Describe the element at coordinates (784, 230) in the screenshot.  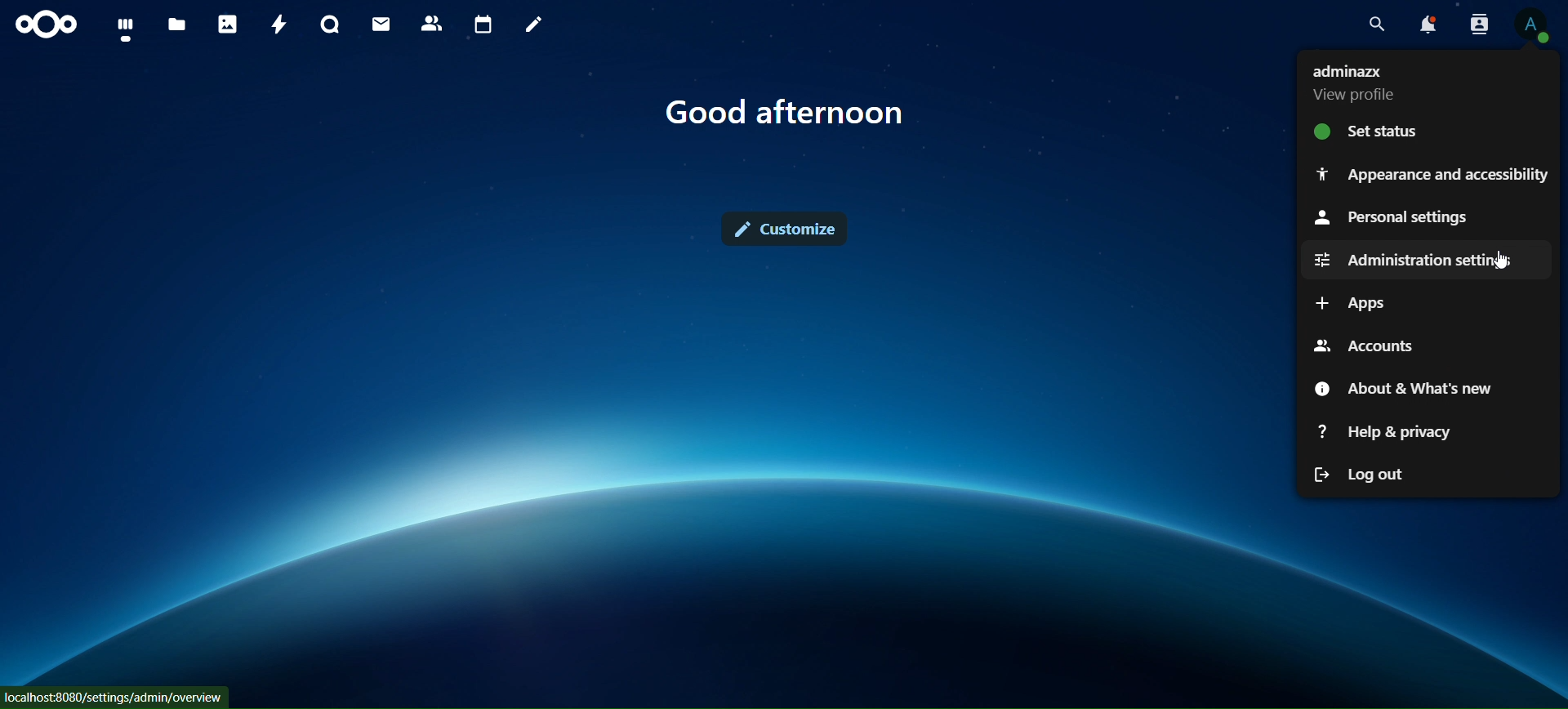
I see `customize` at that location.